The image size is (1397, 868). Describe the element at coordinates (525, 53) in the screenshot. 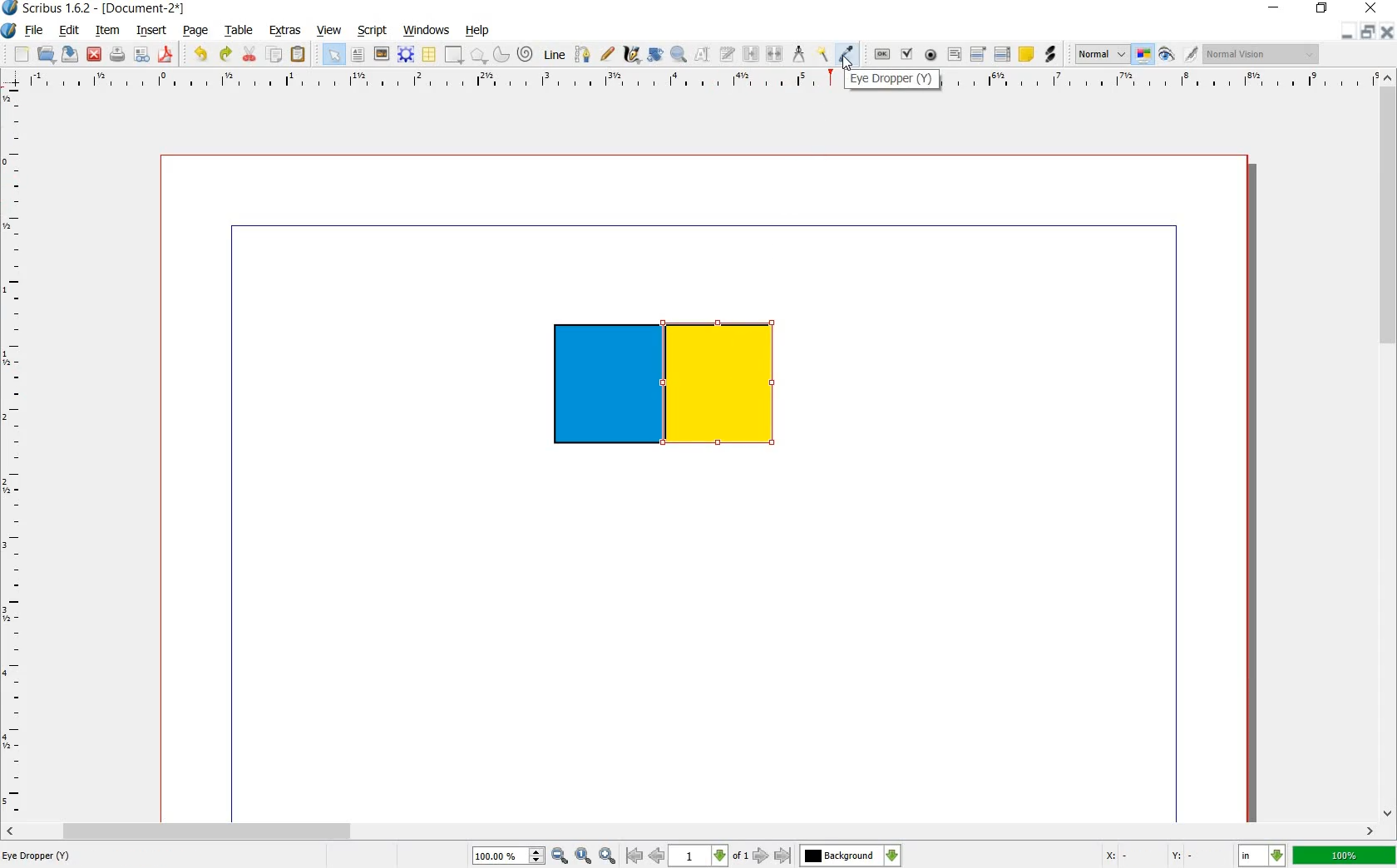

I see `spiral` at that location.